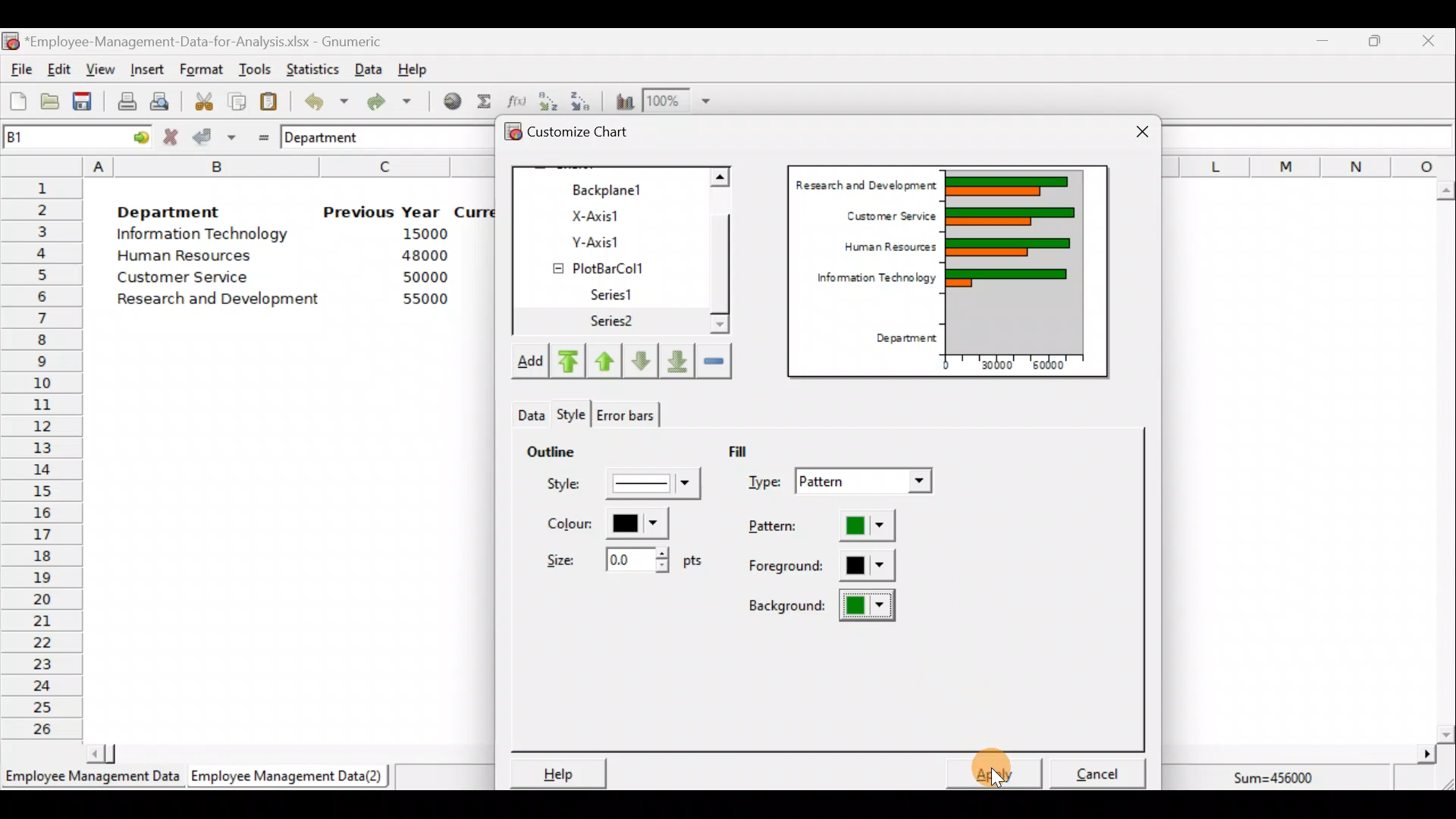 The width and height of the screenshot is (1456, 819). What do you see at coordinates (254, 71) in the screenshot?
I see `Tools` at bounding box center [254, 71].